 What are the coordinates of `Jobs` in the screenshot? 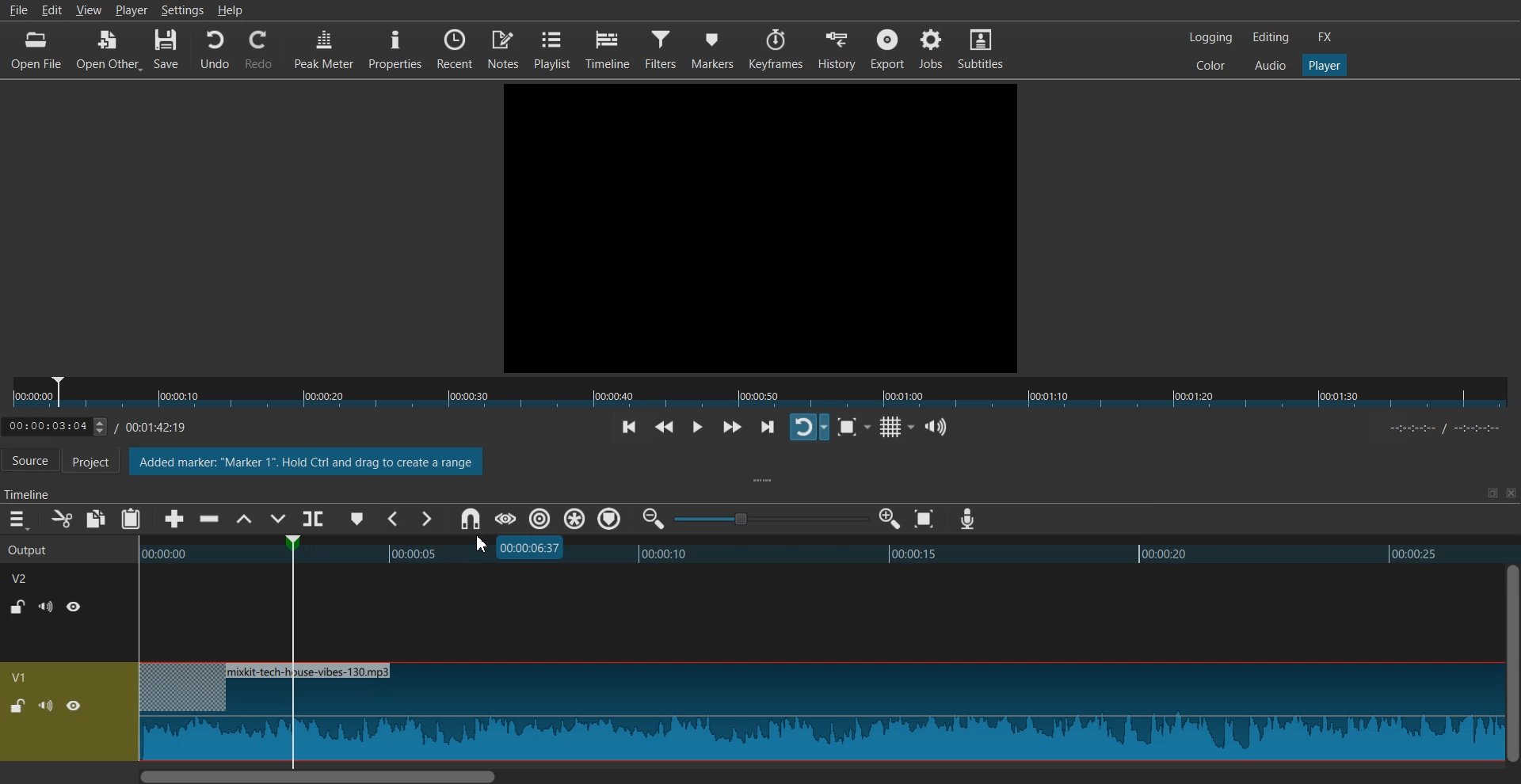 It's located at (930, 48).